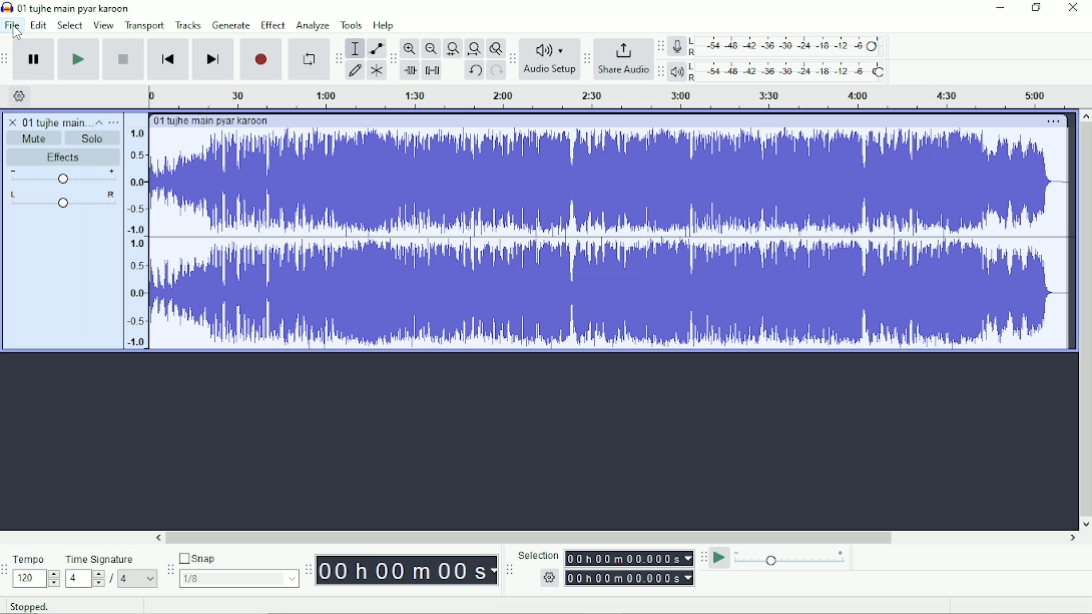 The width and height of the screenshot is (1092, 614). Describe the element at coordinates (351, 24) in the screenshot. I see `Tools` at that location.